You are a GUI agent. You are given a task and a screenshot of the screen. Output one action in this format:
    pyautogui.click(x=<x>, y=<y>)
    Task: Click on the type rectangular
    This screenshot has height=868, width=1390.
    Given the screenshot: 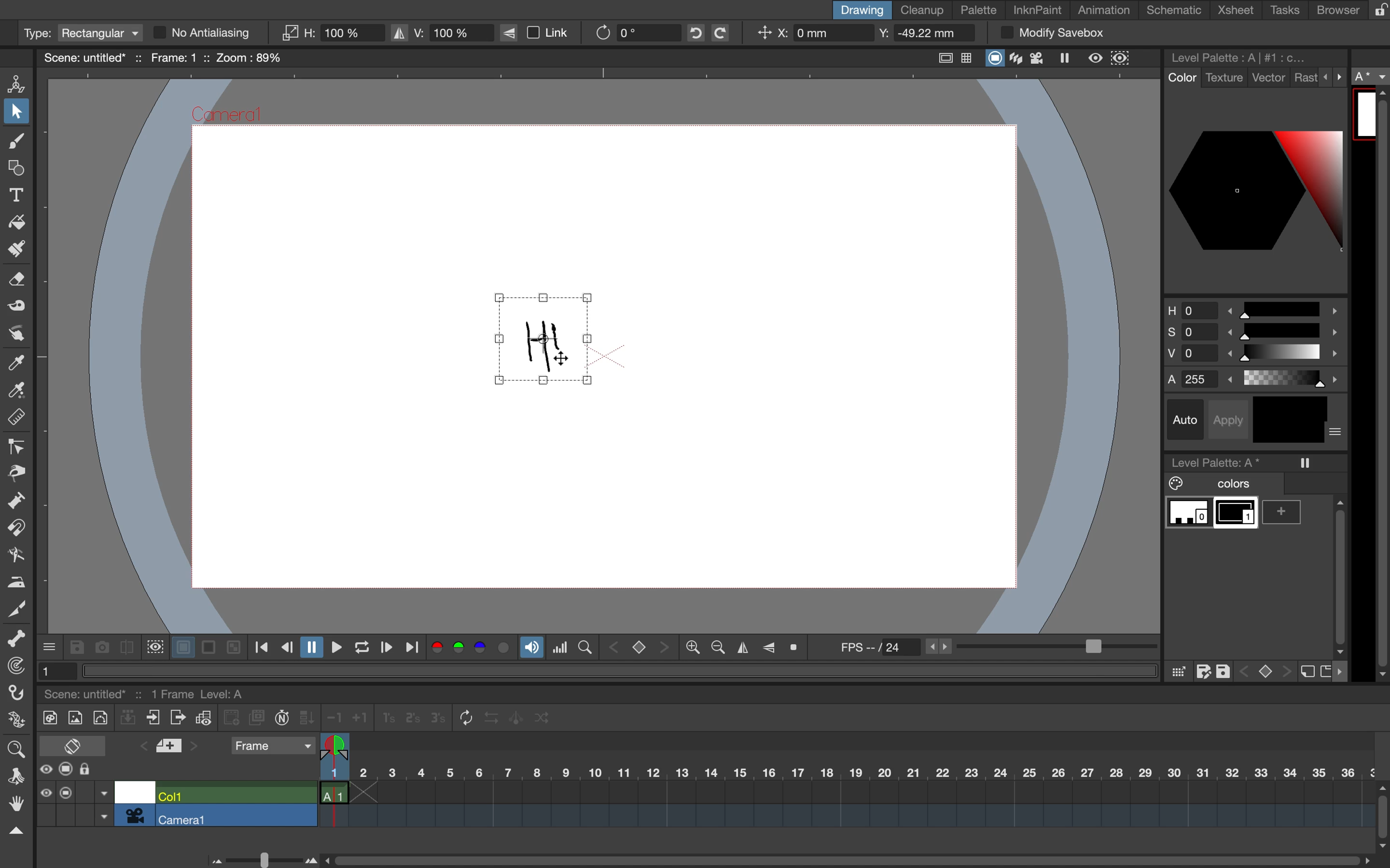 What is the action you would take?
    pyautogui.click(x=80, y=33)
    